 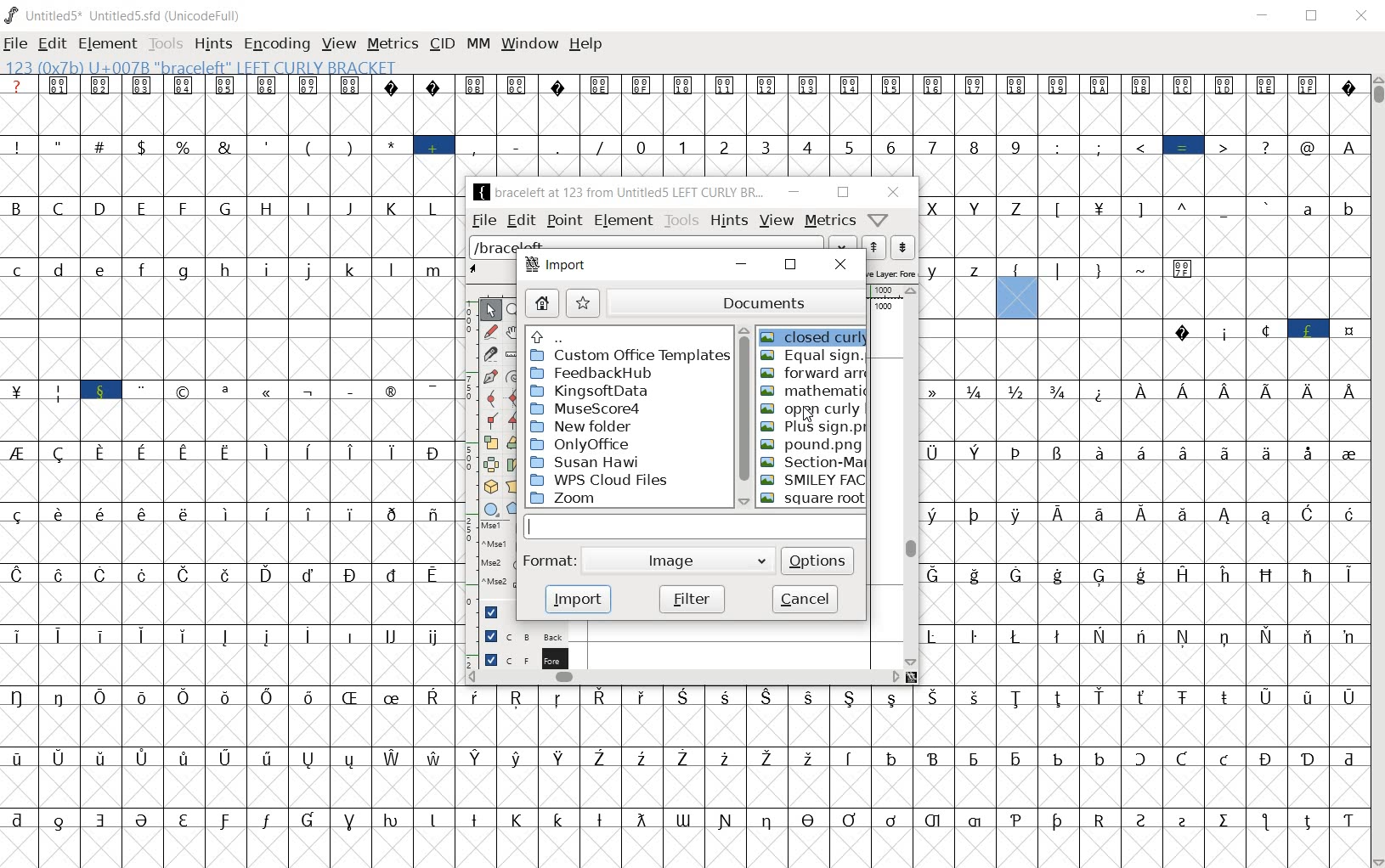 What do you see at coordinates (879, 222) in the screenshot?
I see `Help/Window` at bounding box center [879, 222].